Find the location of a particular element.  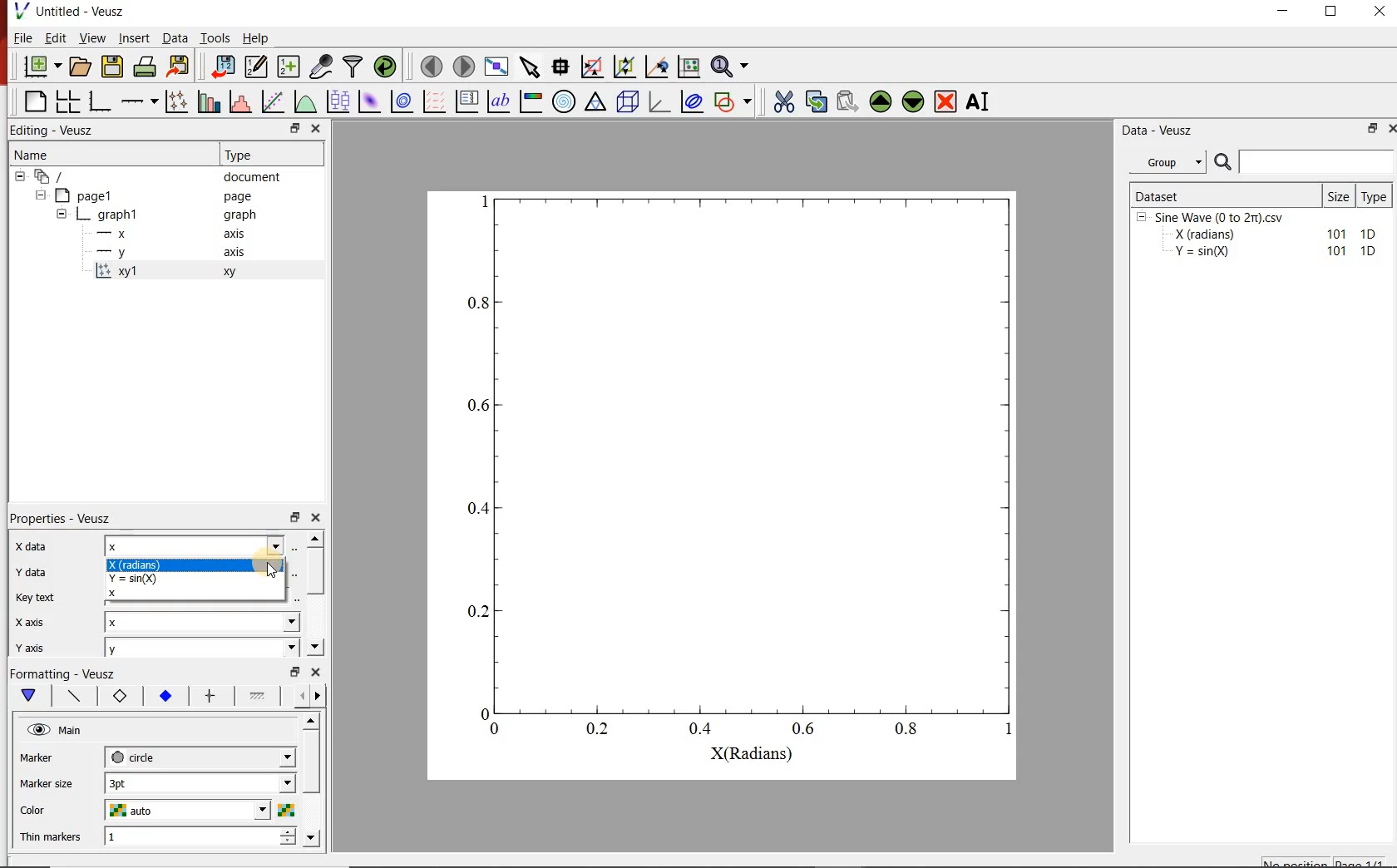

Page 1 Graph 1 is located at coordinates (83, 224).